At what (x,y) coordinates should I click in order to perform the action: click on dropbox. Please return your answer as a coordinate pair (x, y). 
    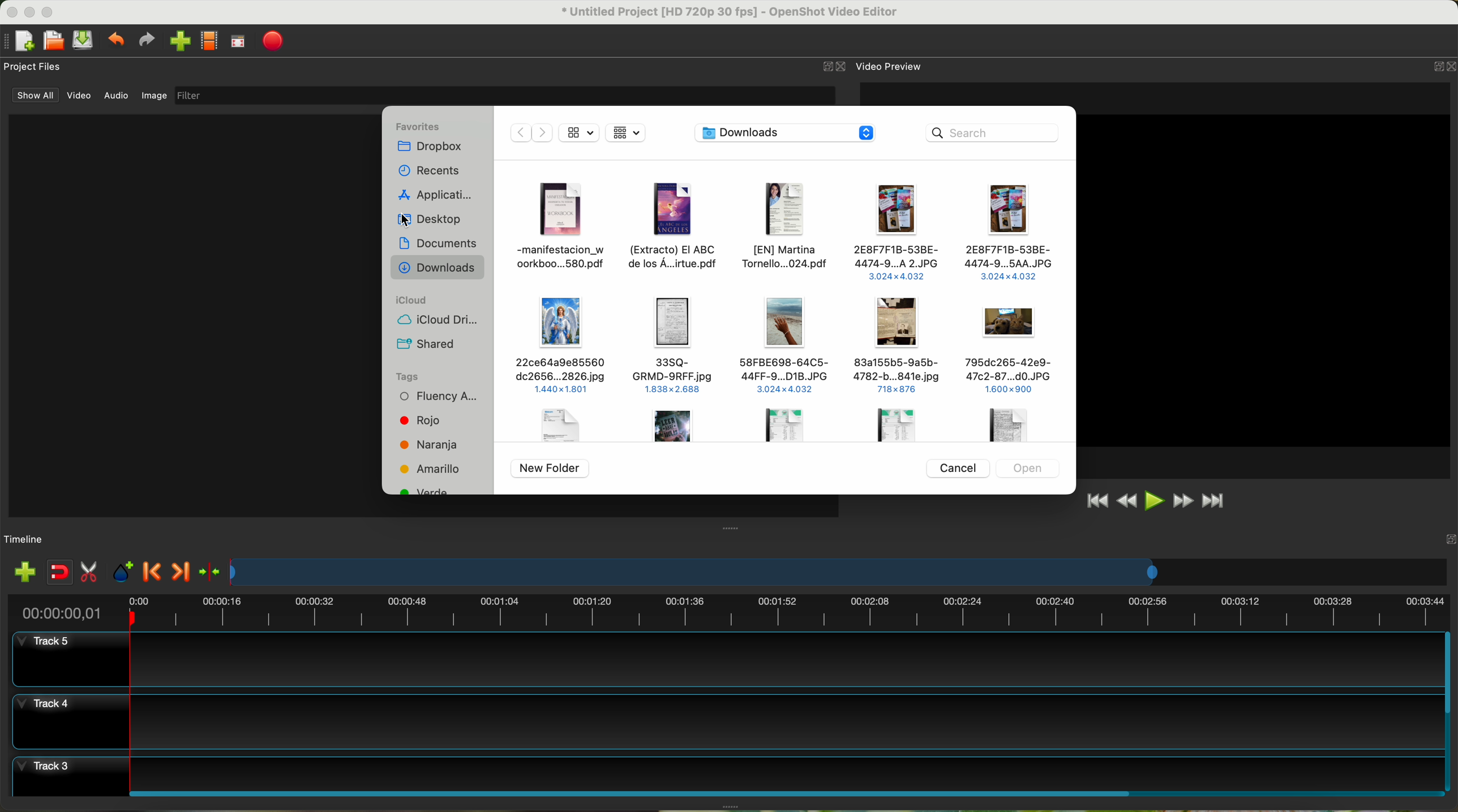
    Looking at the image, I should click on (433, 148).